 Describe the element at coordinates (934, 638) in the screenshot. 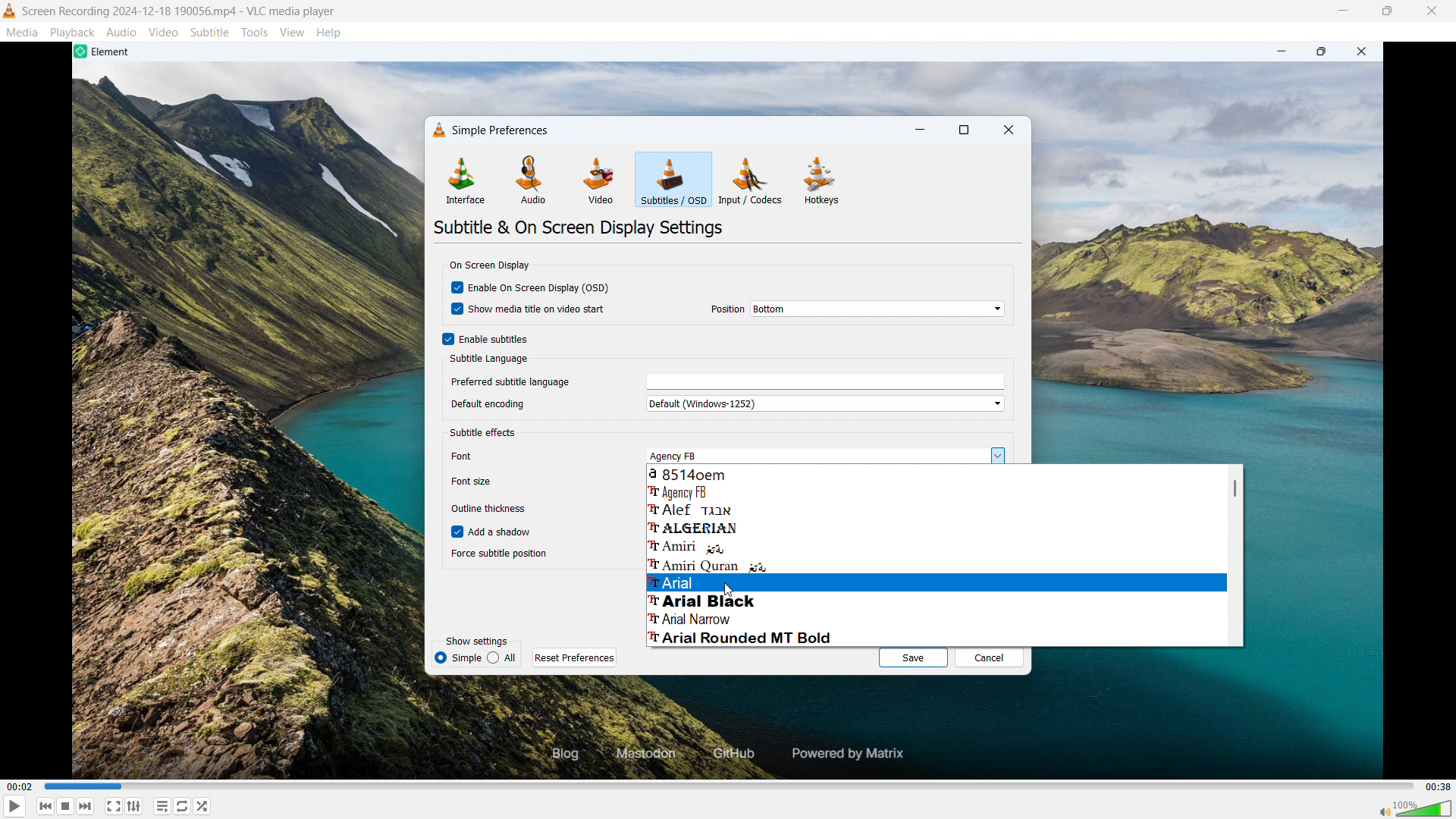

I see `arial rounded MT bold` at that location.